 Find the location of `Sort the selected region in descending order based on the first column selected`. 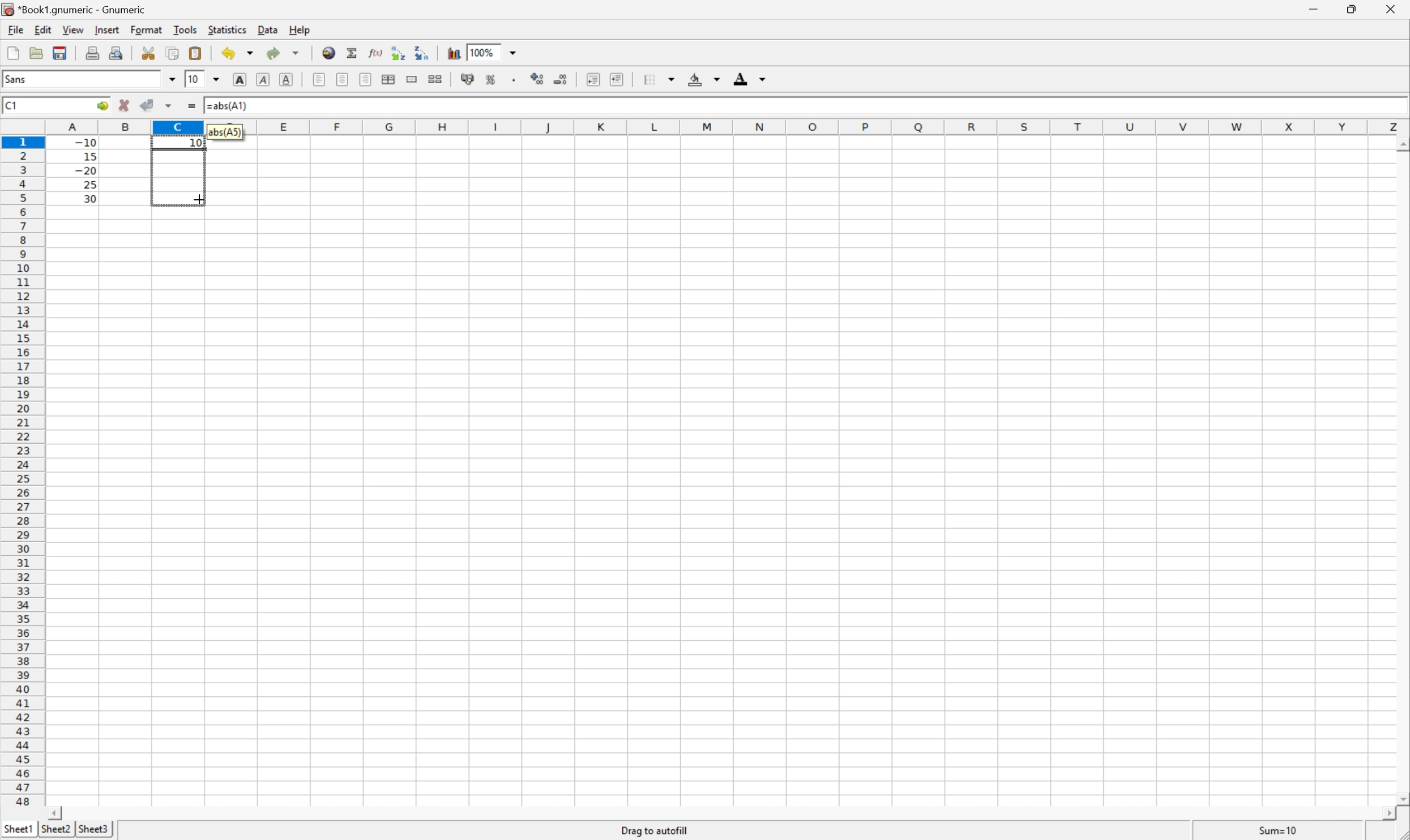

Sort the selected region in descending order based on the first column selected is located at coordinates (421, 52).